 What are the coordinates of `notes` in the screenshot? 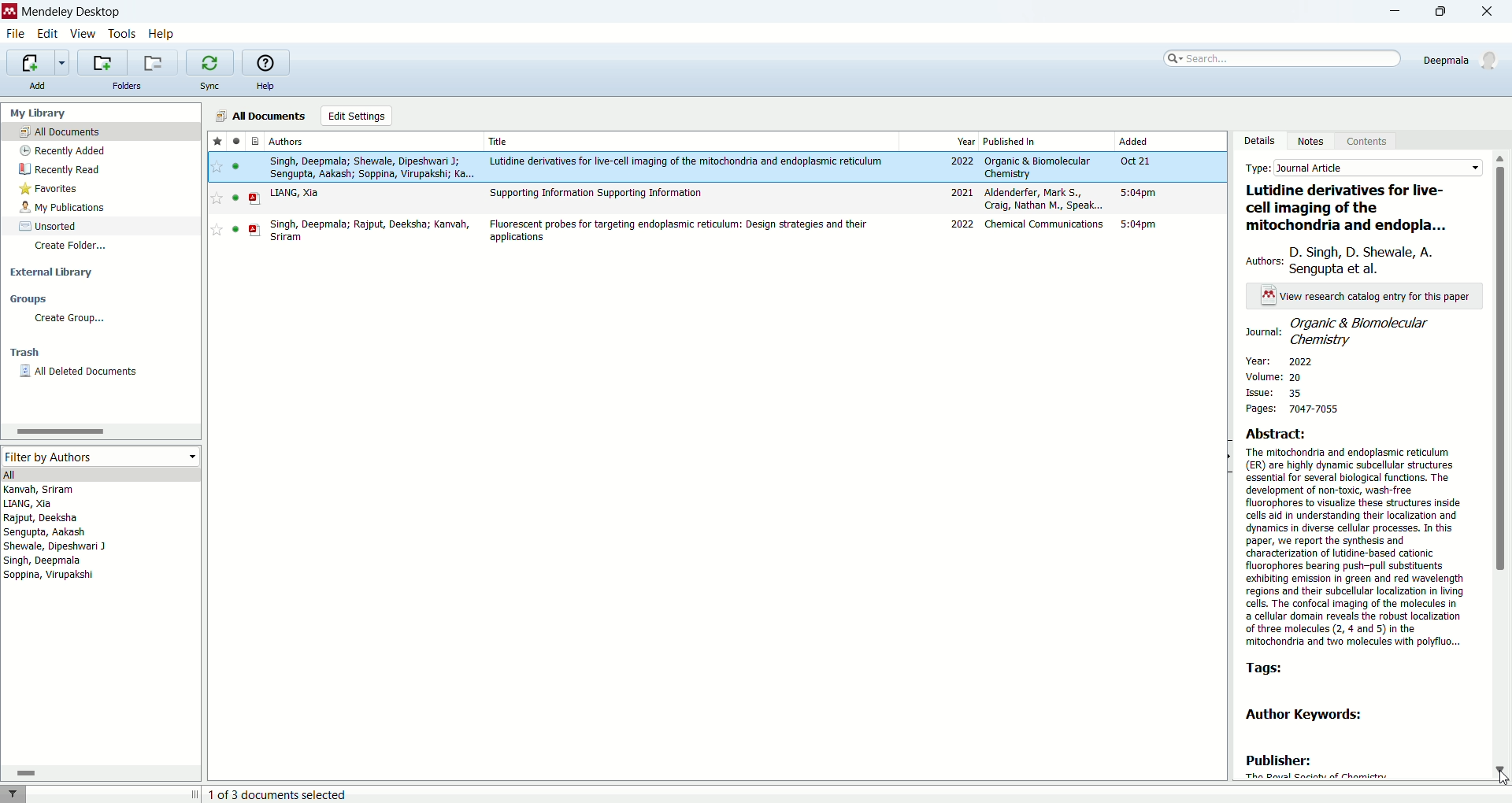 It's located at (1314, 140).